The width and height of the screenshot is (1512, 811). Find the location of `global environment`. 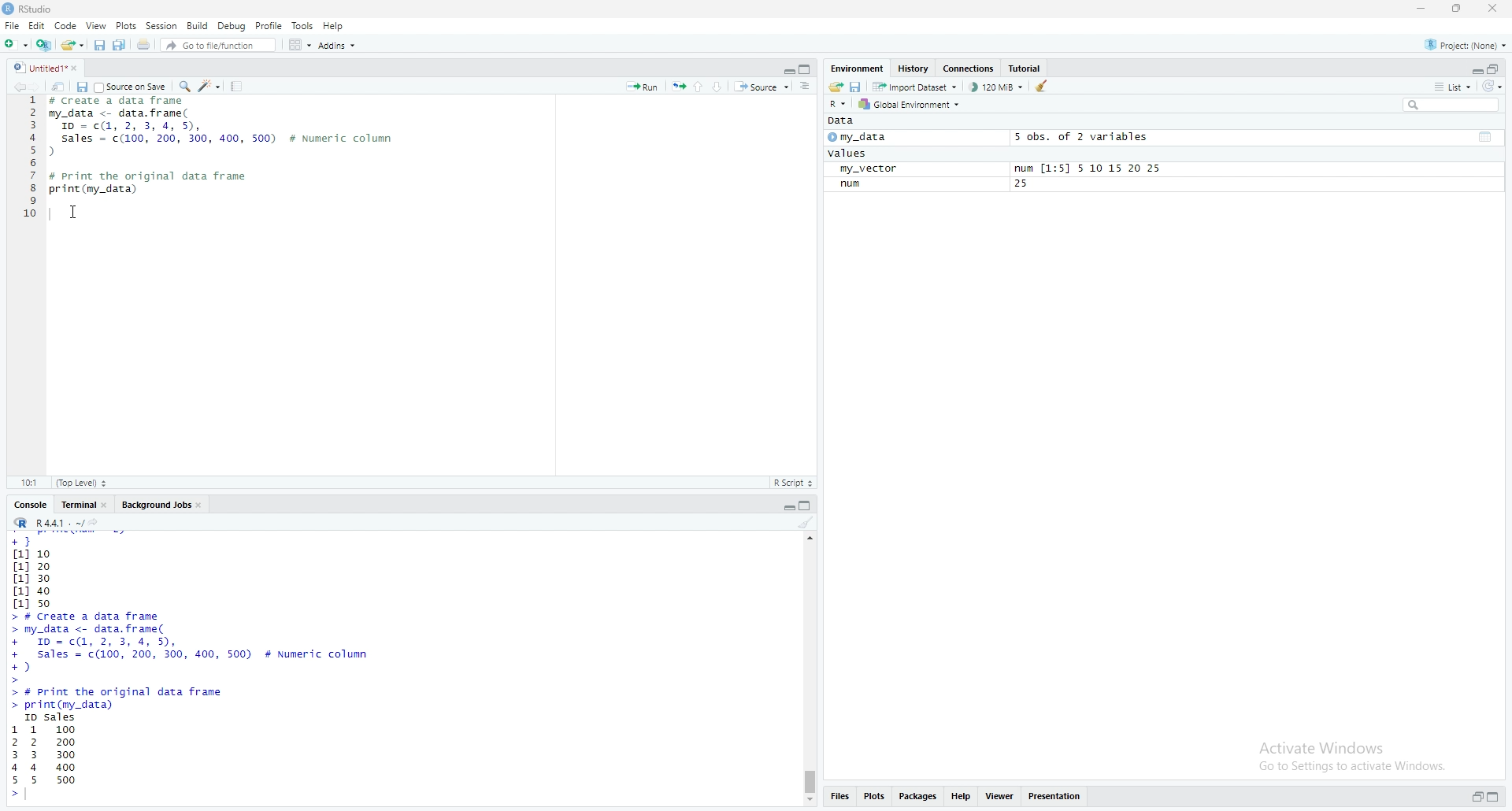

global environment is located at coordinates (915, 106).